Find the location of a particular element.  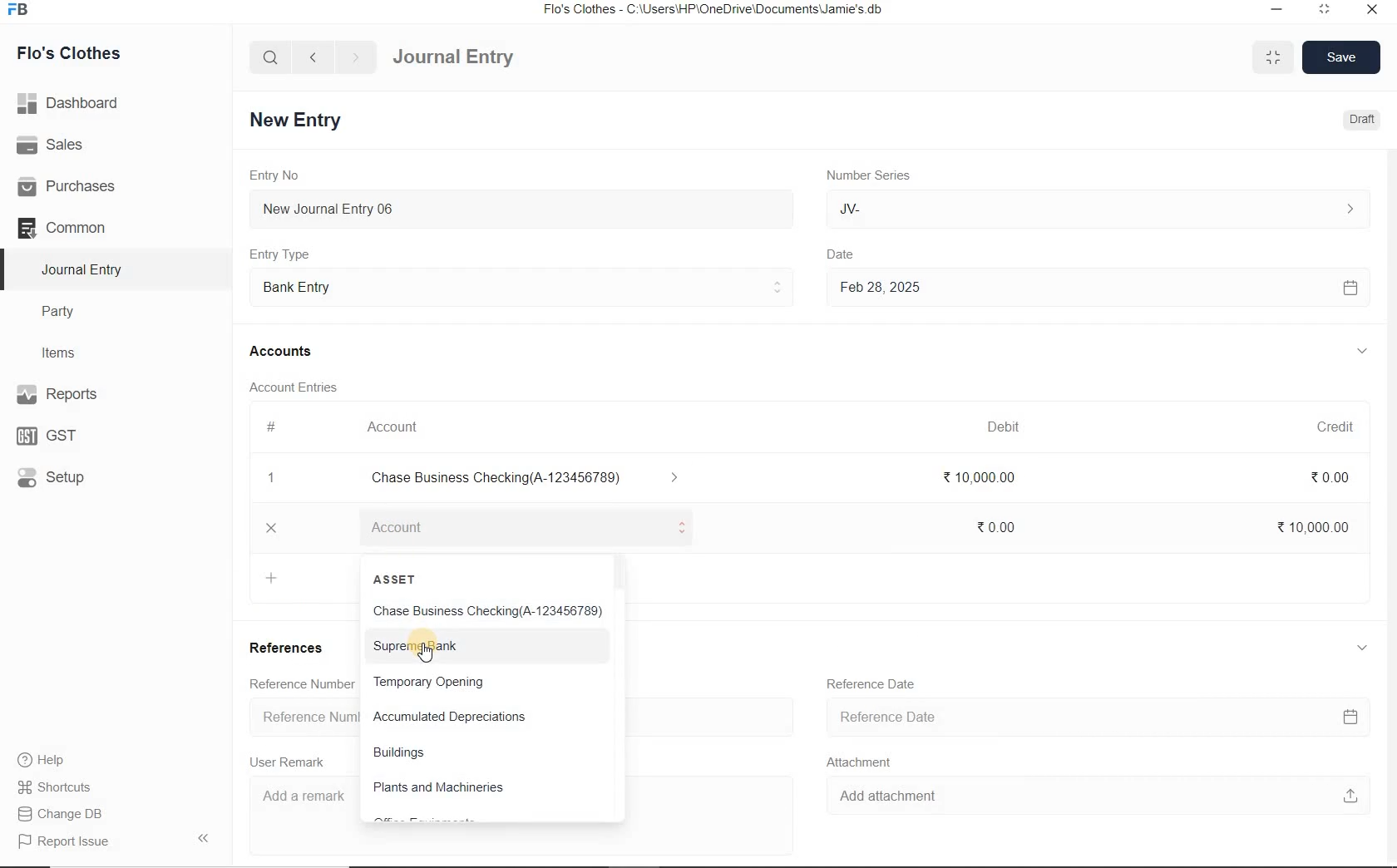

Feb 28, 2025 is located at coordinates (1097, 288).